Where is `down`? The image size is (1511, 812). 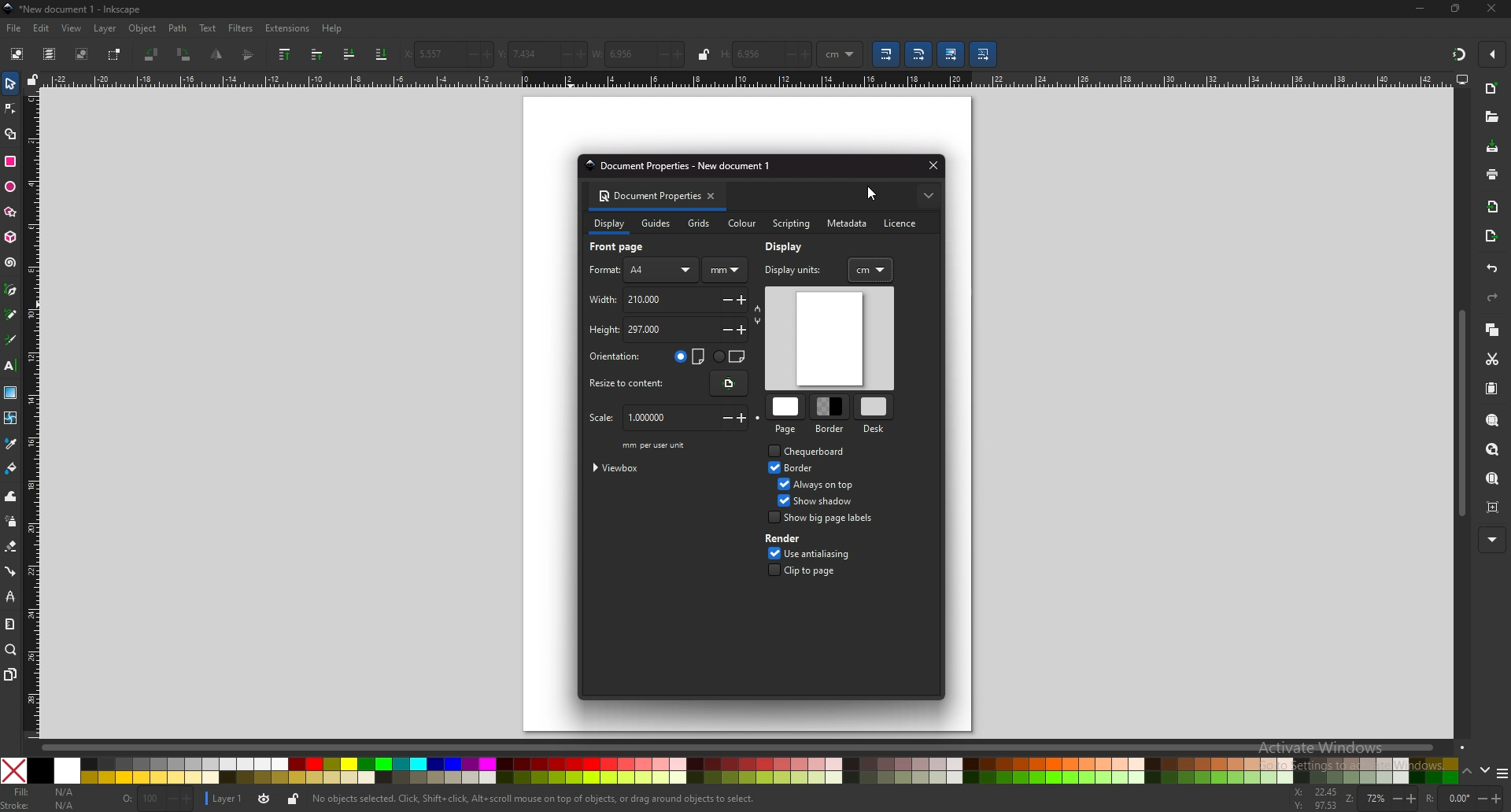
down is located at coordinates (1484, 771).